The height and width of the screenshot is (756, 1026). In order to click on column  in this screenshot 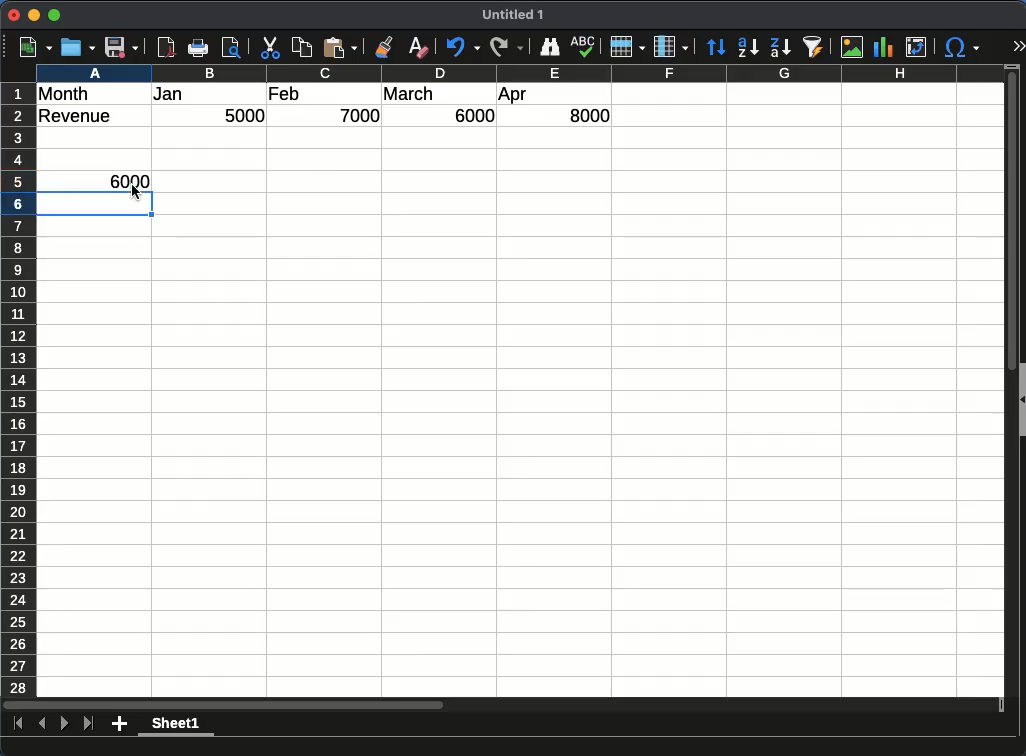, I will do `click(671, 47)`.